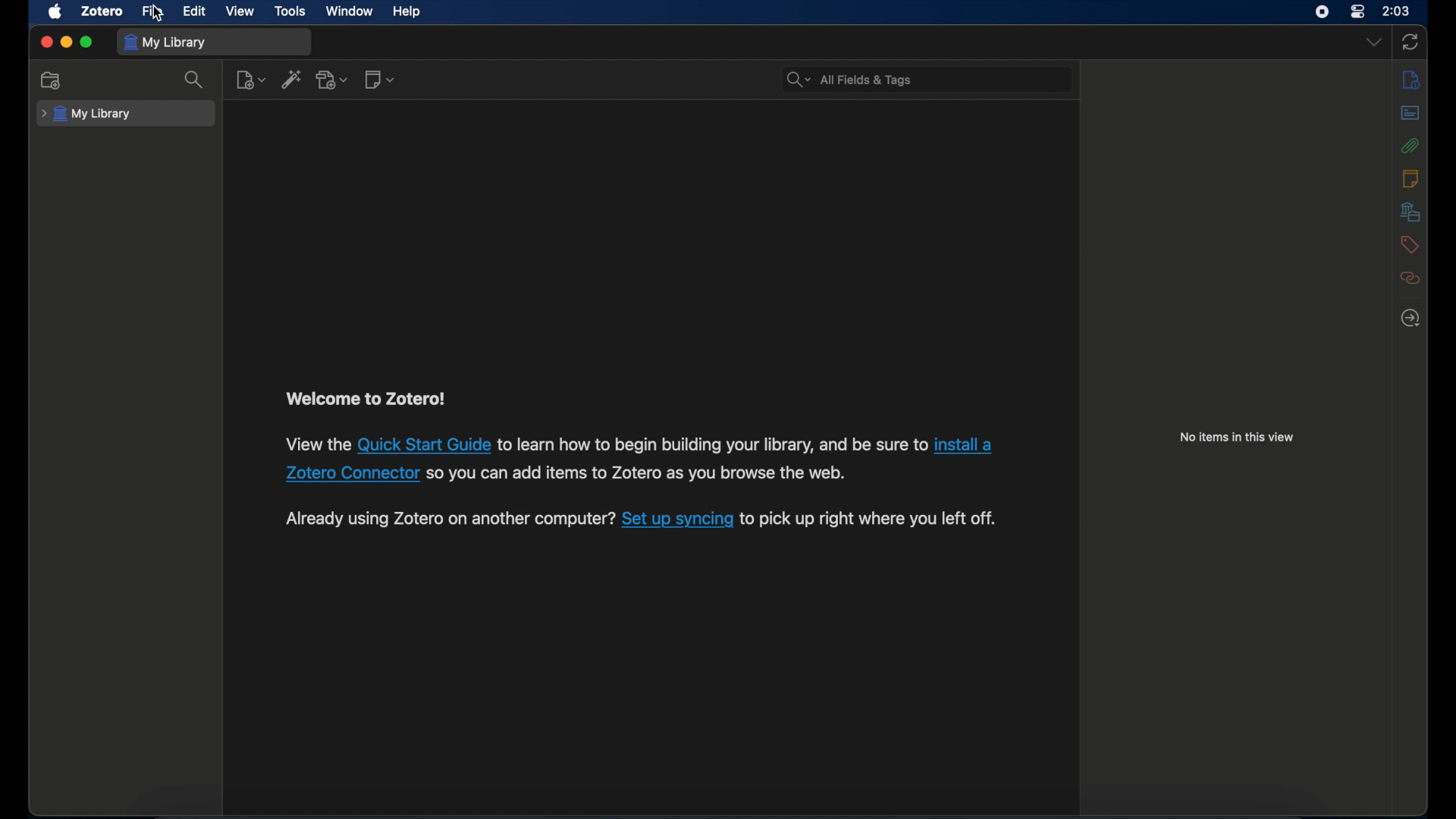 The width and height of the screenshot is (1456, 819). Describe the element at coordinates (351, 473) in the screenshot. I see `link` at that location.